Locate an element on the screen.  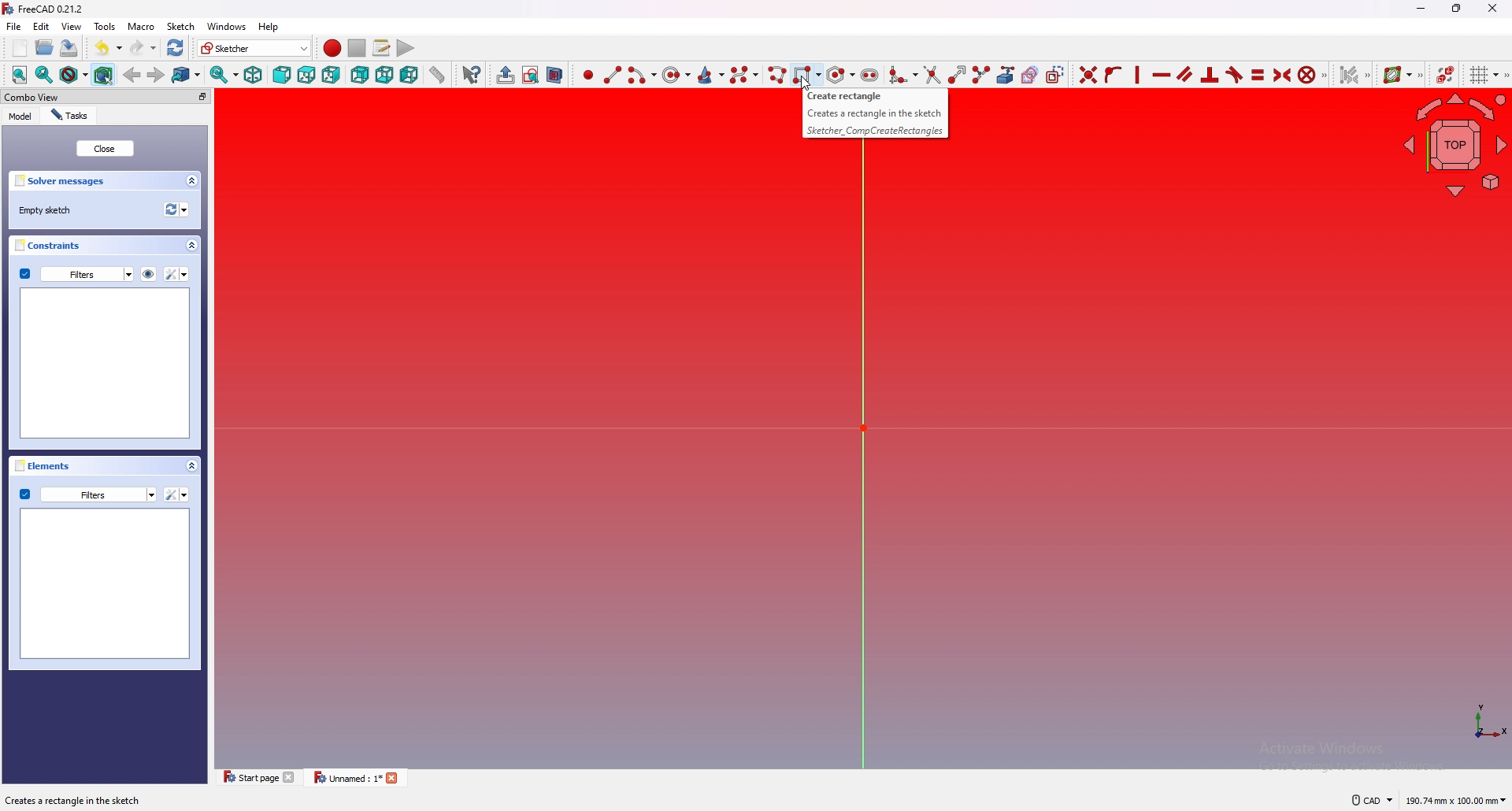
constraint point onto object is located at coordinates (1113, 75).